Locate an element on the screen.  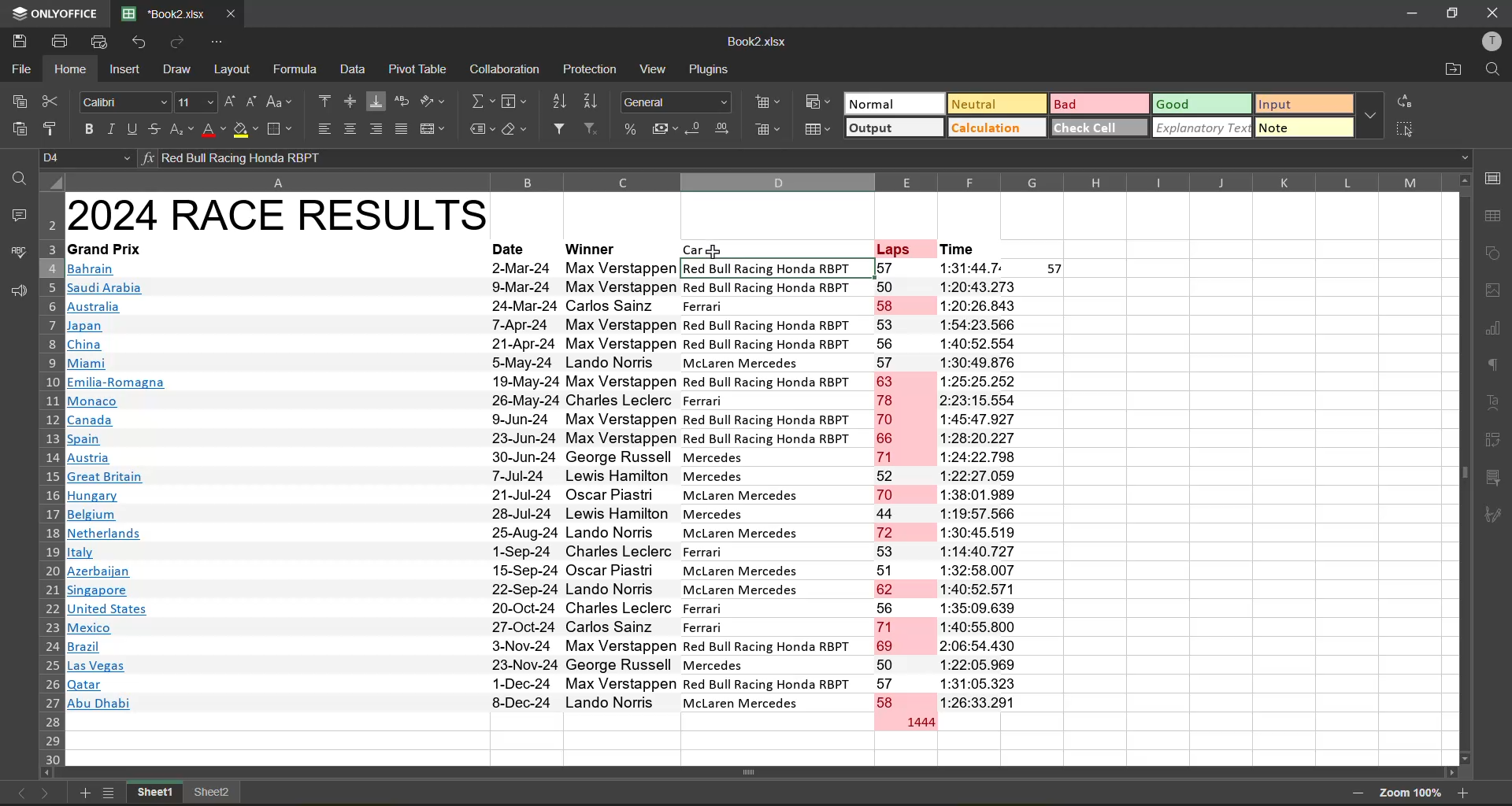
Laps time is located at coordinates (1005, 486).